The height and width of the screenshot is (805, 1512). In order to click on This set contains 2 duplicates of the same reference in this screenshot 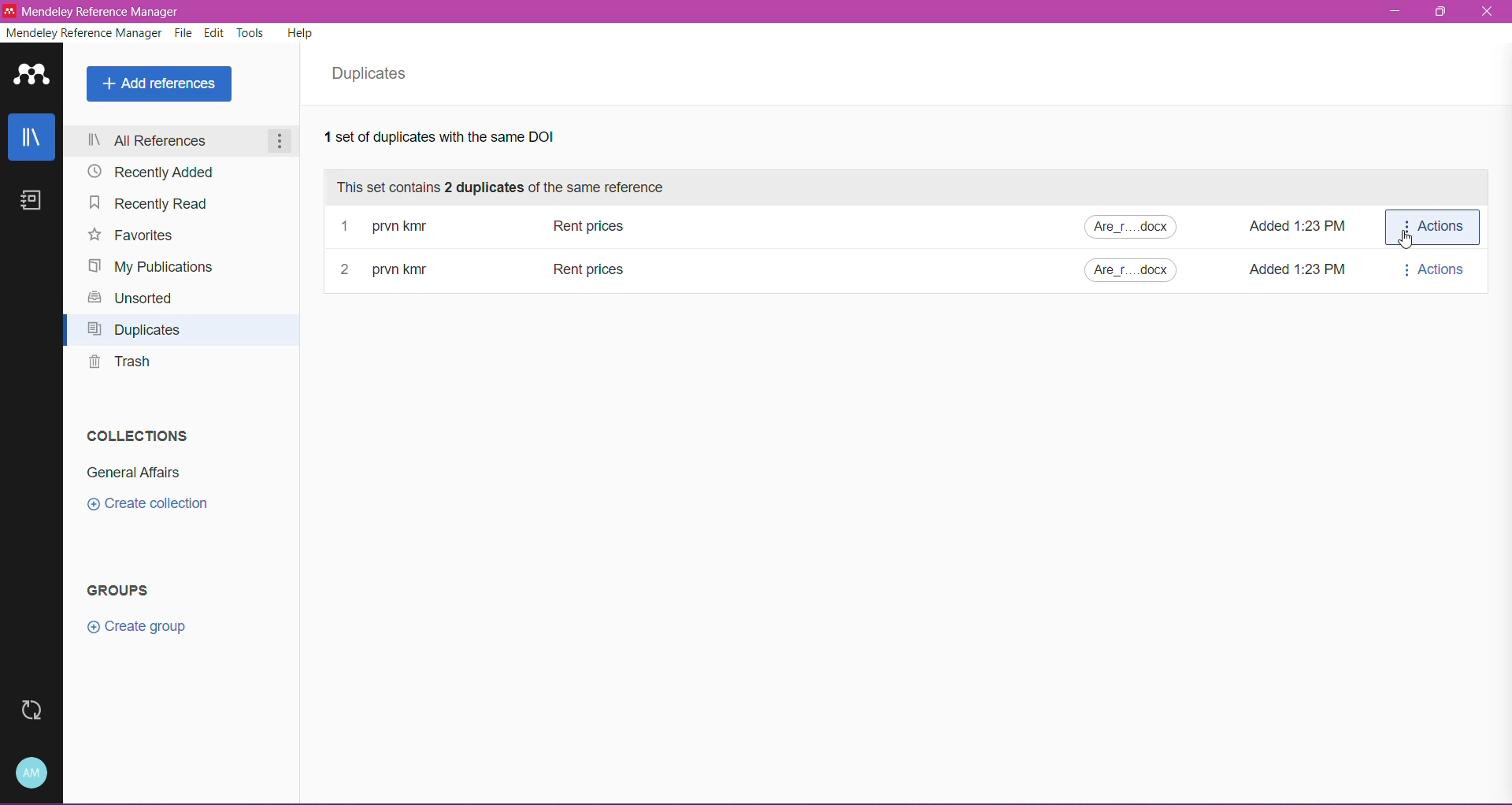, I will do `click(509, 187)`.